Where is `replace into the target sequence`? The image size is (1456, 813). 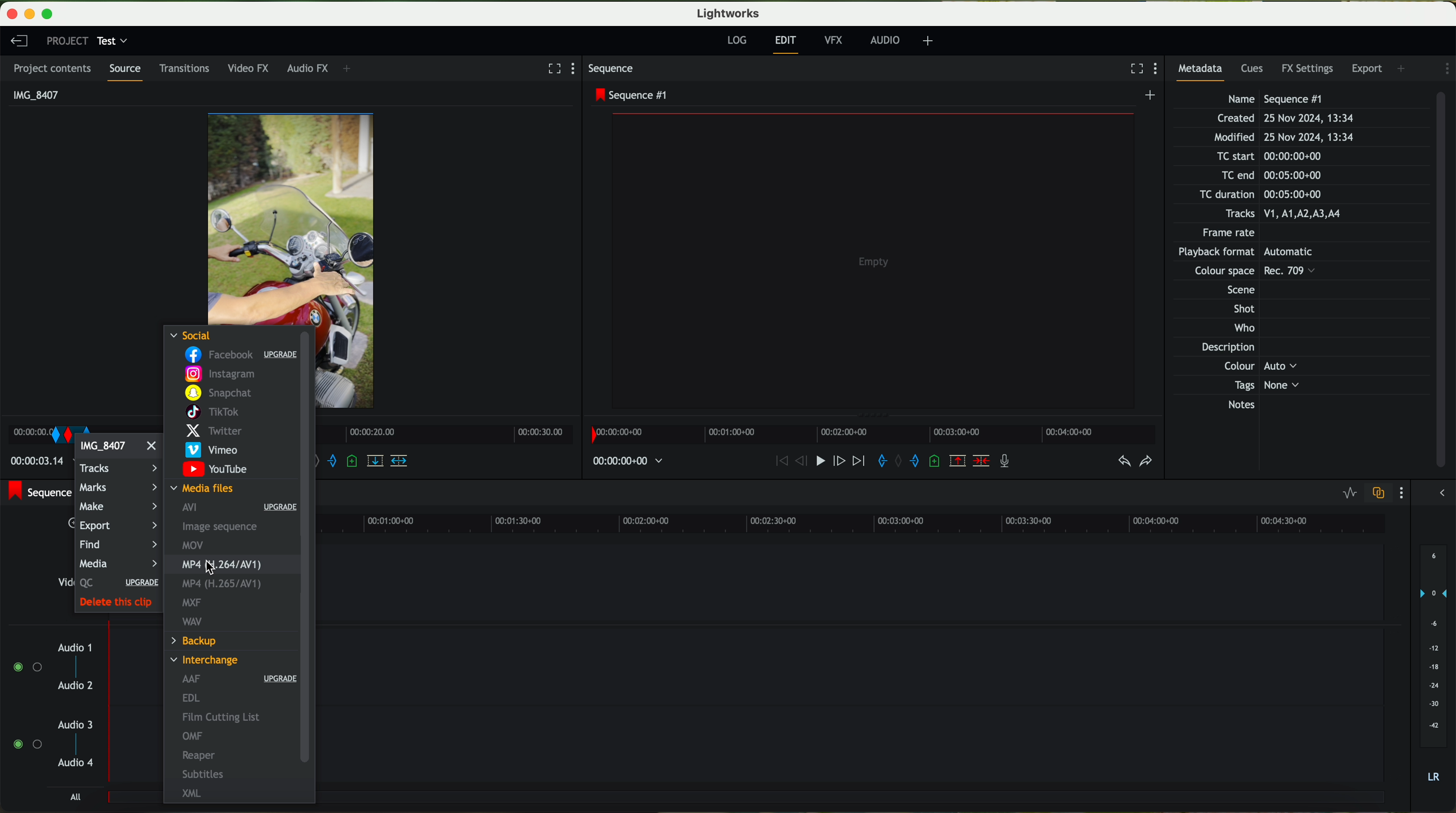
replace into the target sequence is located at coordinates (378, 465).